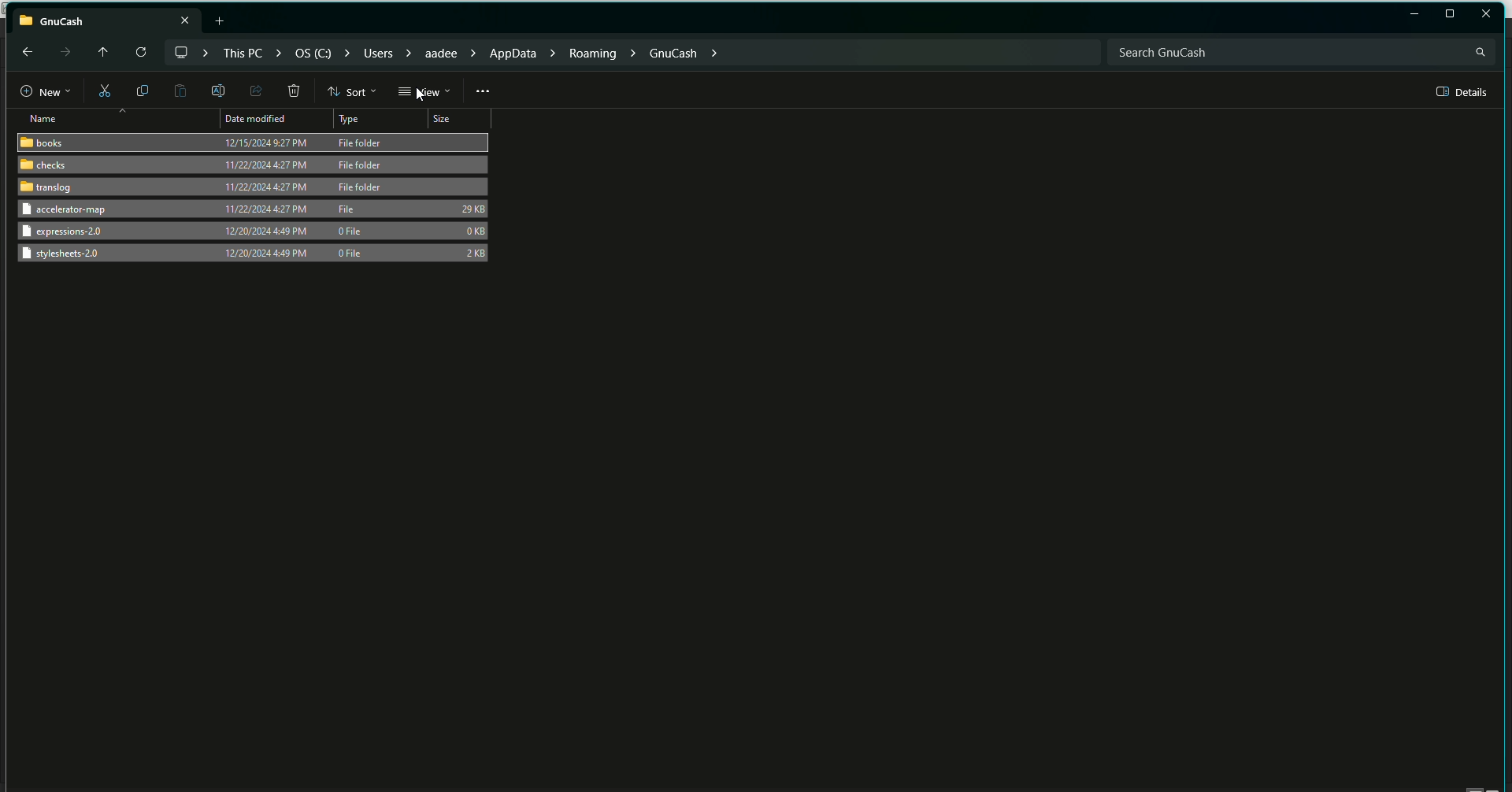  What do you see at coordinates (25, 51) in the screenshot?
I see `back` at bounding box center [25, 51].